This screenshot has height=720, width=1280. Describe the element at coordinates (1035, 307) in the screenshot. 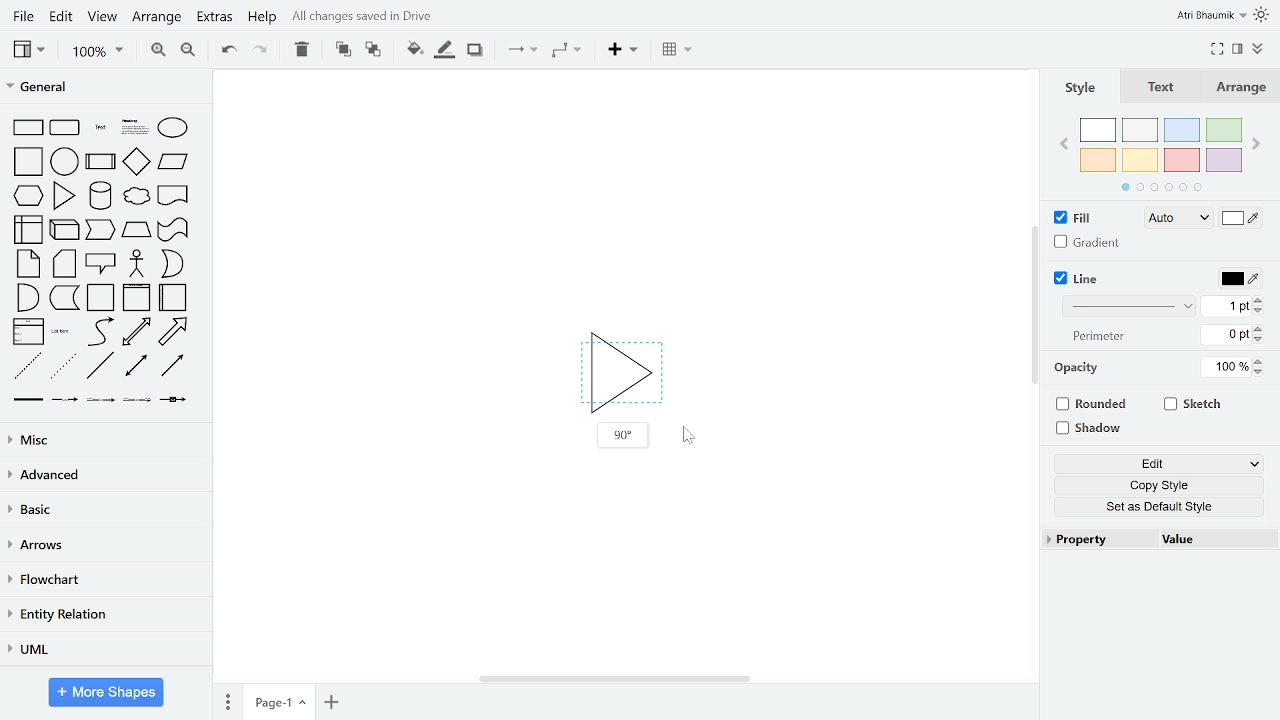

I see `vertical scrollbar` at that location.